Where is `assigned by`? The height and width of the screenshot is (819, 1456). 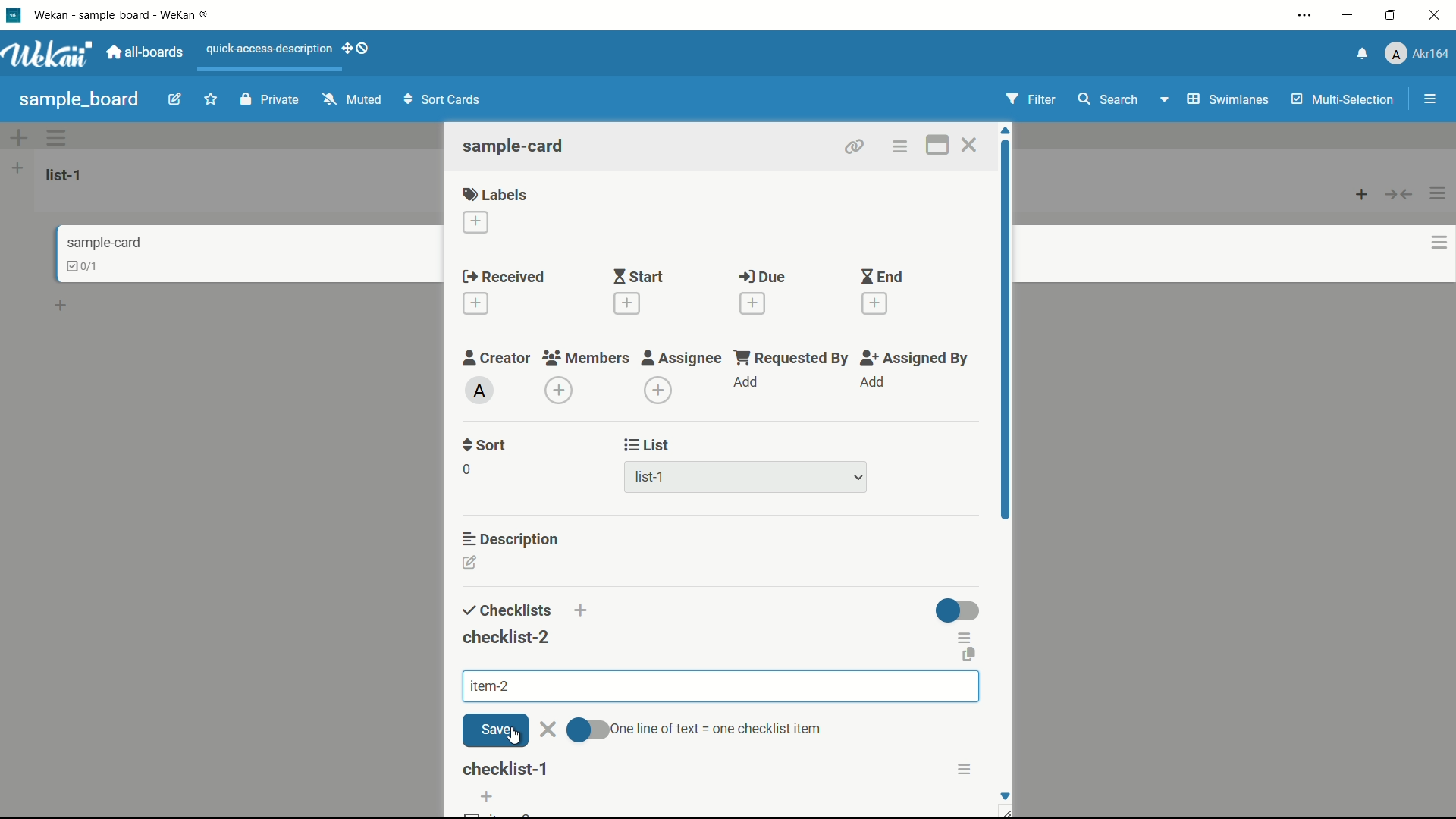
assigned by is located at coordinates (916, 358).